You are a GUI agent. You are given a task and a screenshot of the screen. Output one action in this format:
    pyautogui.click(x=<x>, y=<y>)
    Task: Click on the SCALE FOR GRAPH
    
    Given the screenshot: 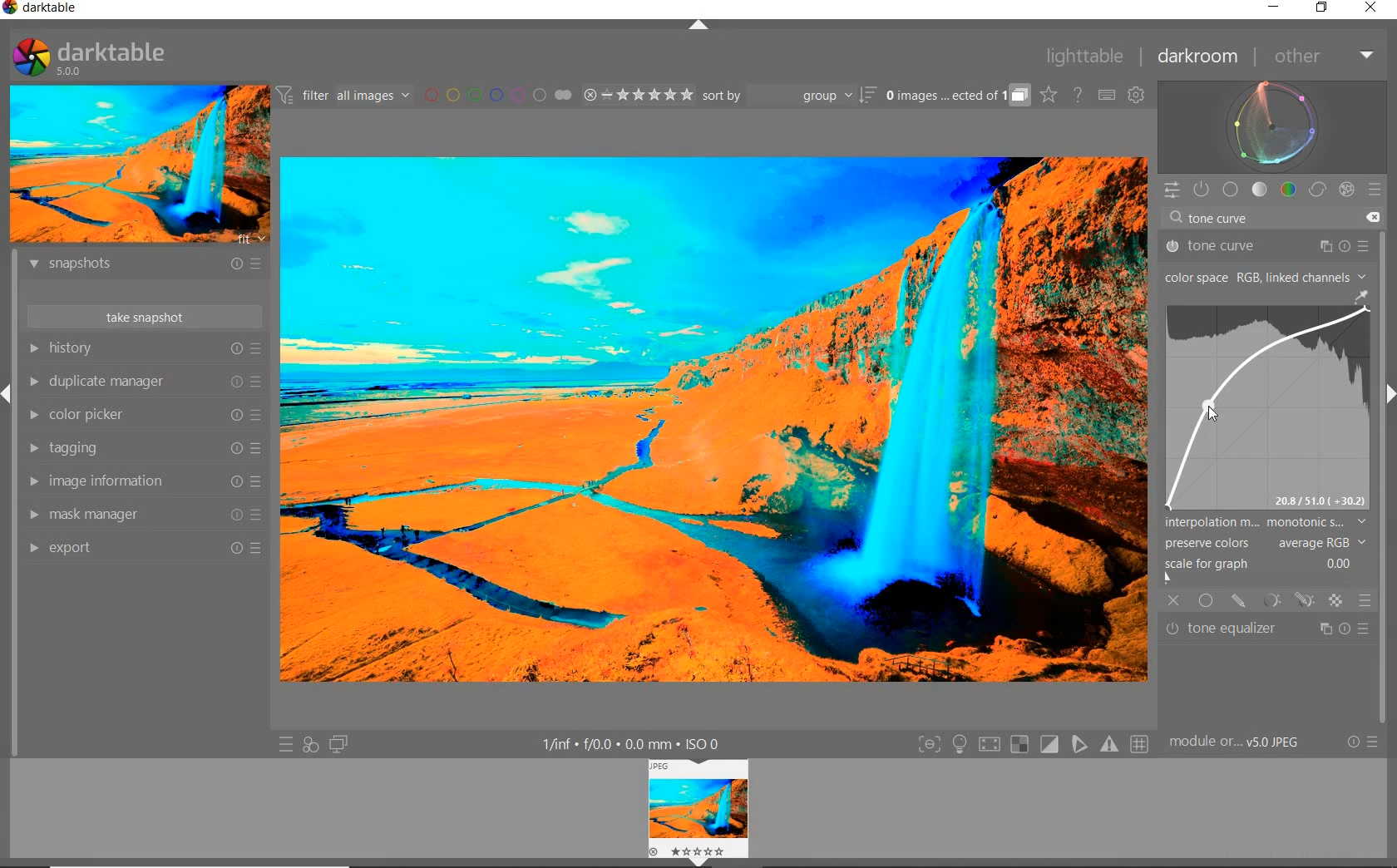 What is the action you would take?
    pyautogui.click(x=1261, y=572)
    